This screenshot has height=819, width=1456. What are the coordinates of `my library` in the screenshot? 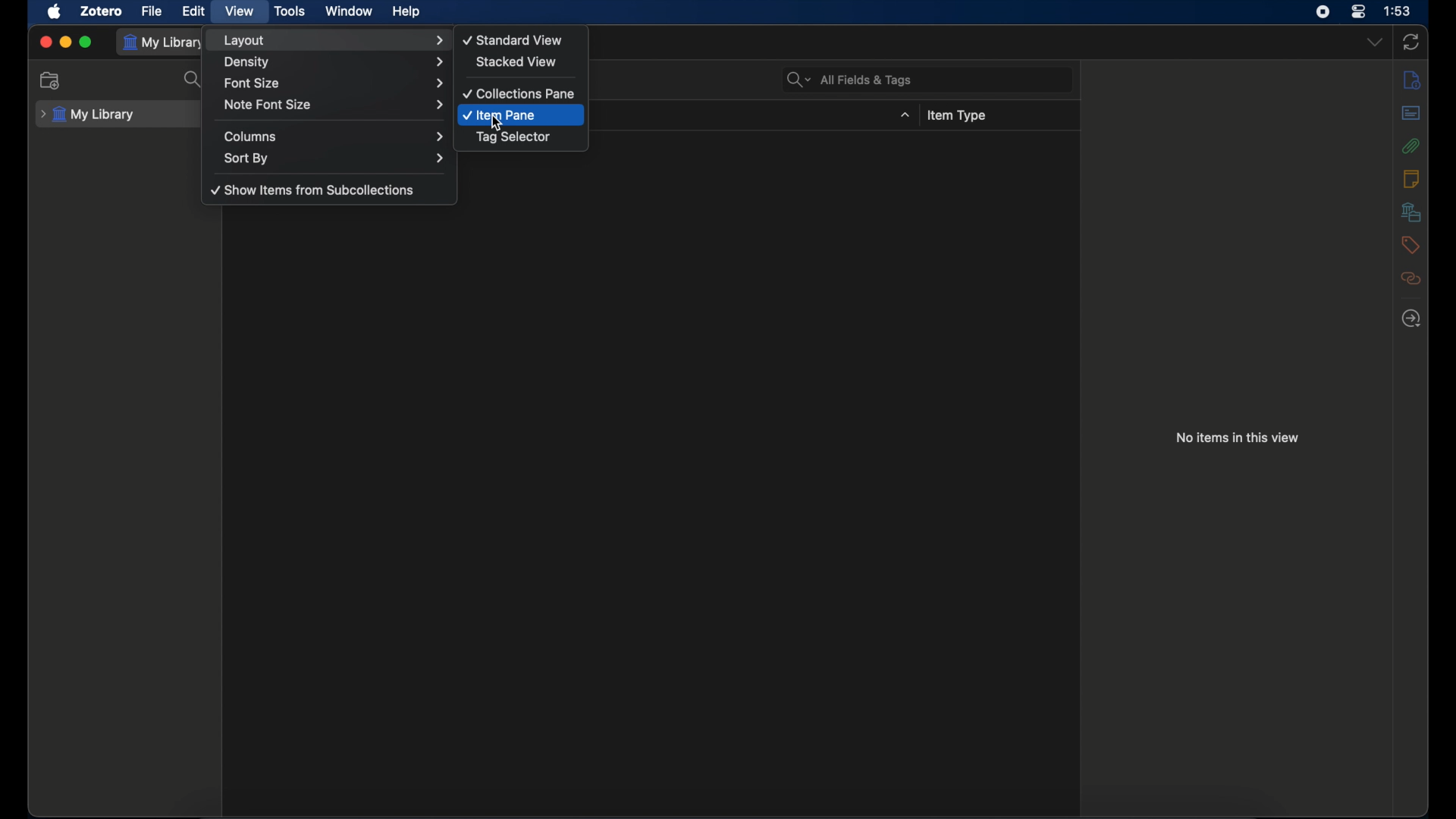 It's located at (87, 115).